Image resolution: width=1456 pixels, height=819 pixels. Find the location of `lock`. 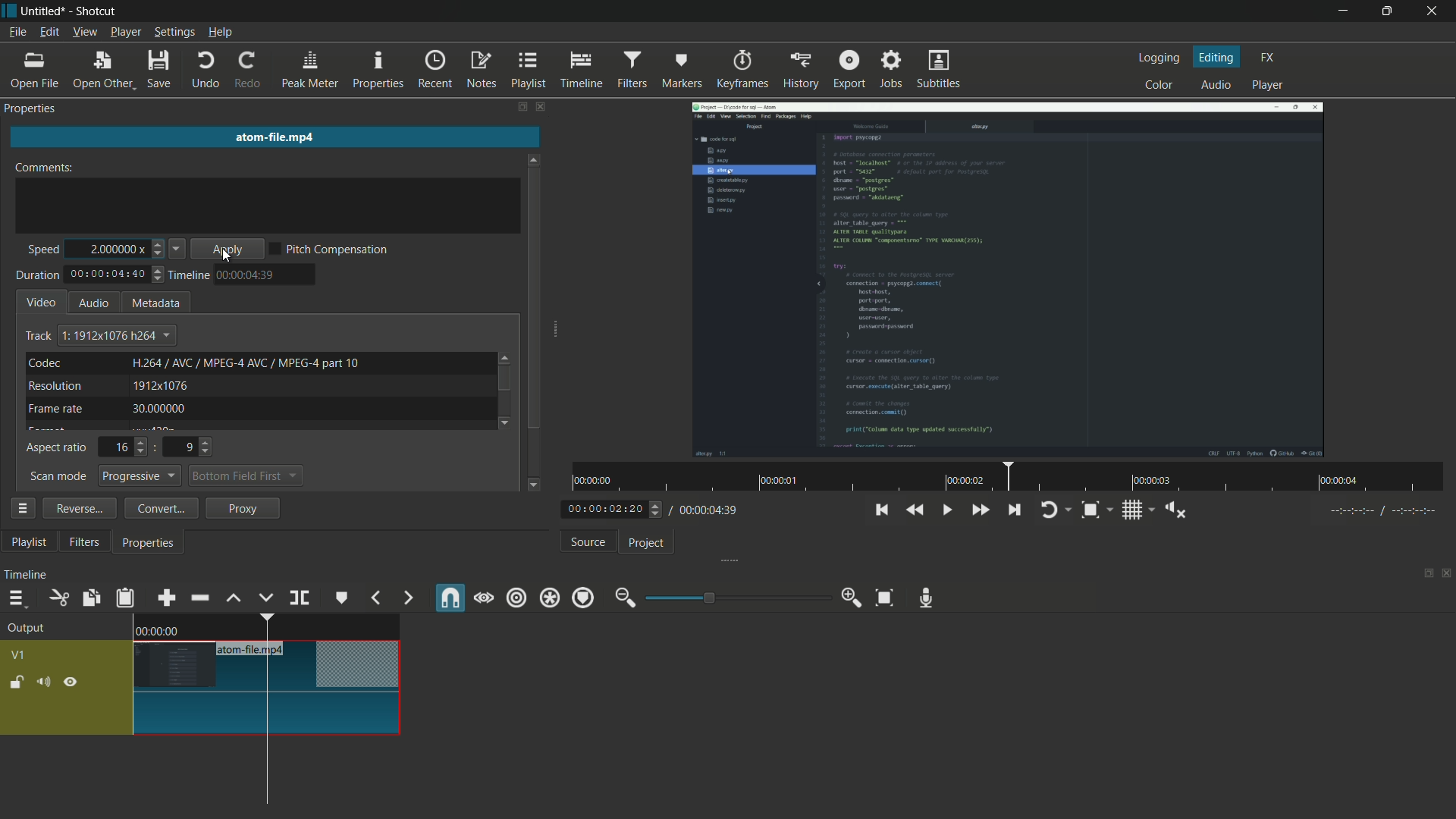

lock is located at coordinates (17, 683).